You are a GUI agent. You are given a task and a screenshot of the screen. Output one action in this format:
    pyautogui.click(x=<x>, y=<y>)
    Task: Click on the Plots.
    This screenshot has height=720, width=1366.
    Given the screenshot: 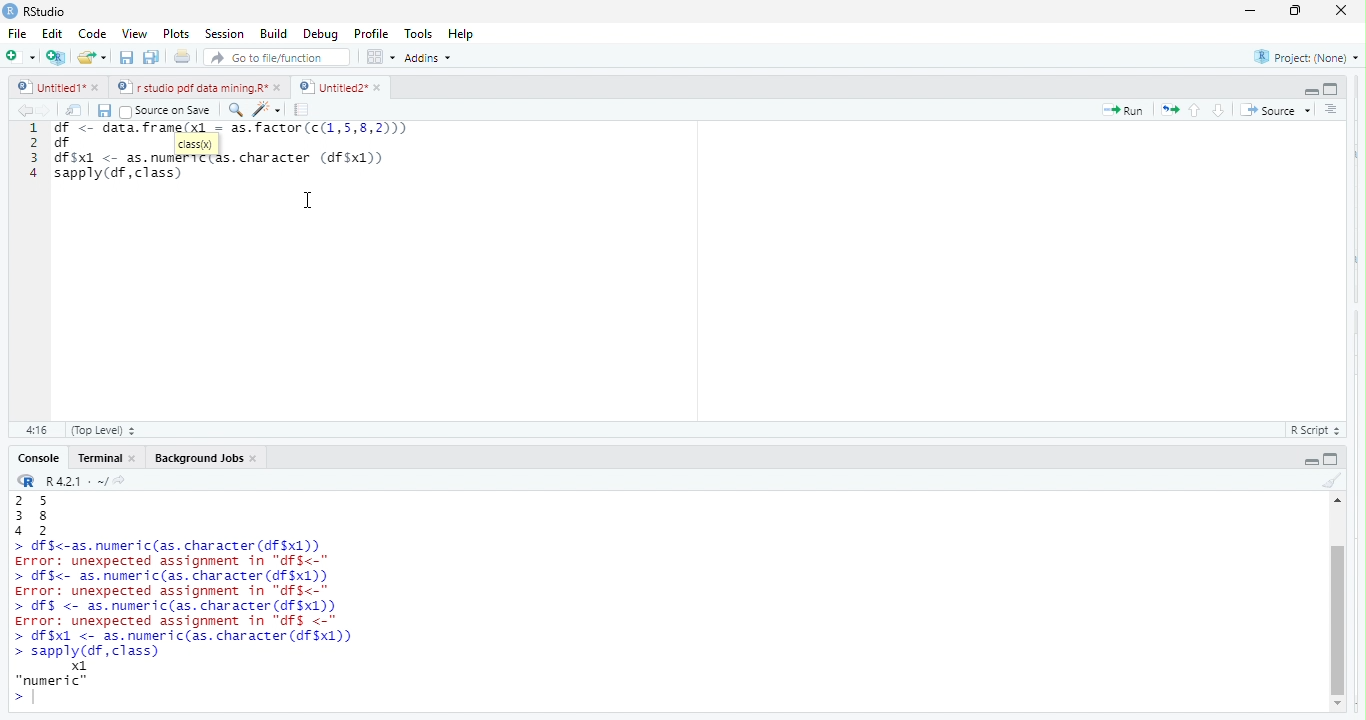 What is the action you would take?
    pyautogui.click(x=175, y=34)
    